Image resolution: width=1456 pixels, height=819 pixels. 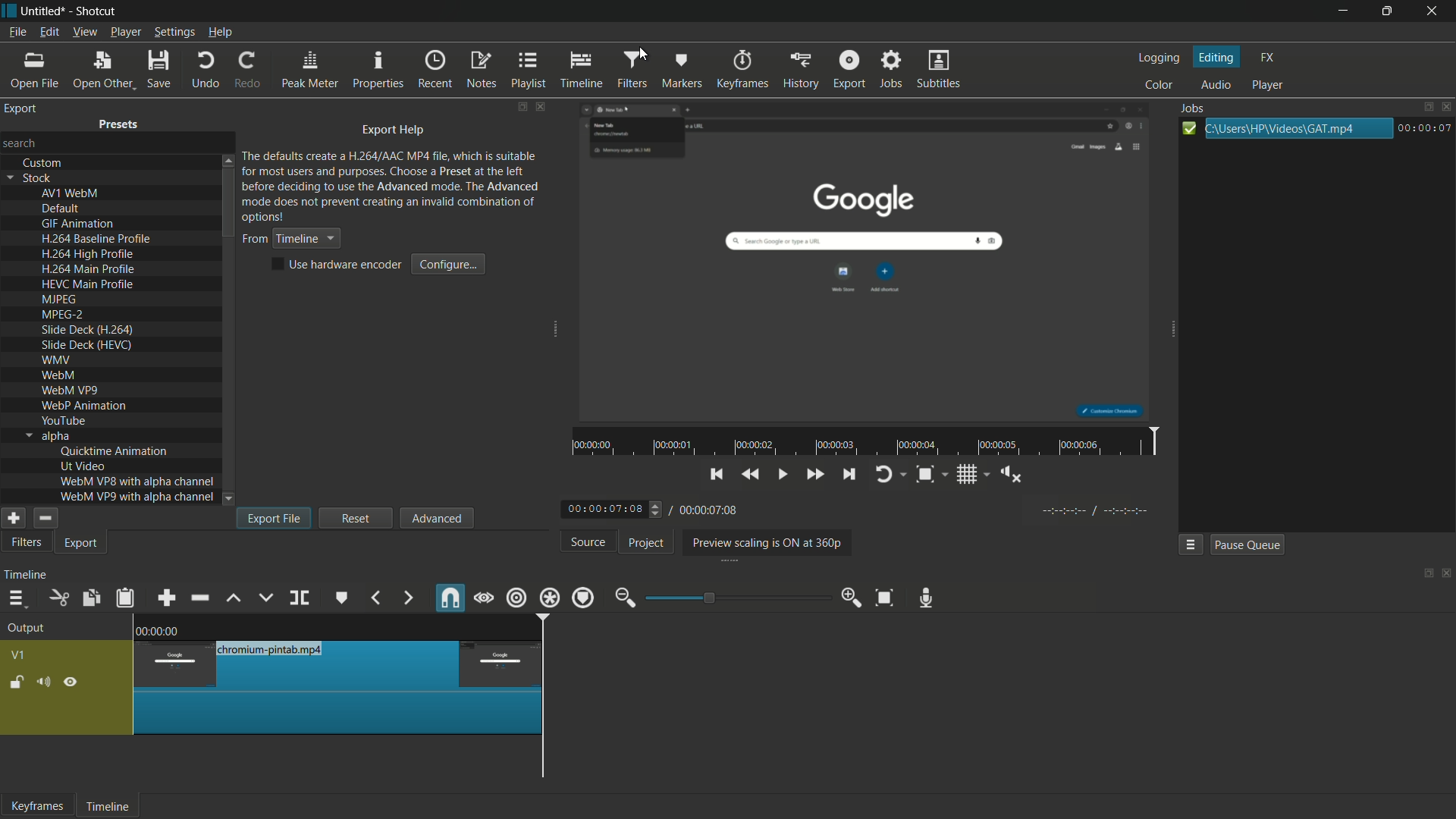 What do you see at coordinates (1195, 108) in the screenshot?
I see `jobs` at bounding box center [1195, 108].